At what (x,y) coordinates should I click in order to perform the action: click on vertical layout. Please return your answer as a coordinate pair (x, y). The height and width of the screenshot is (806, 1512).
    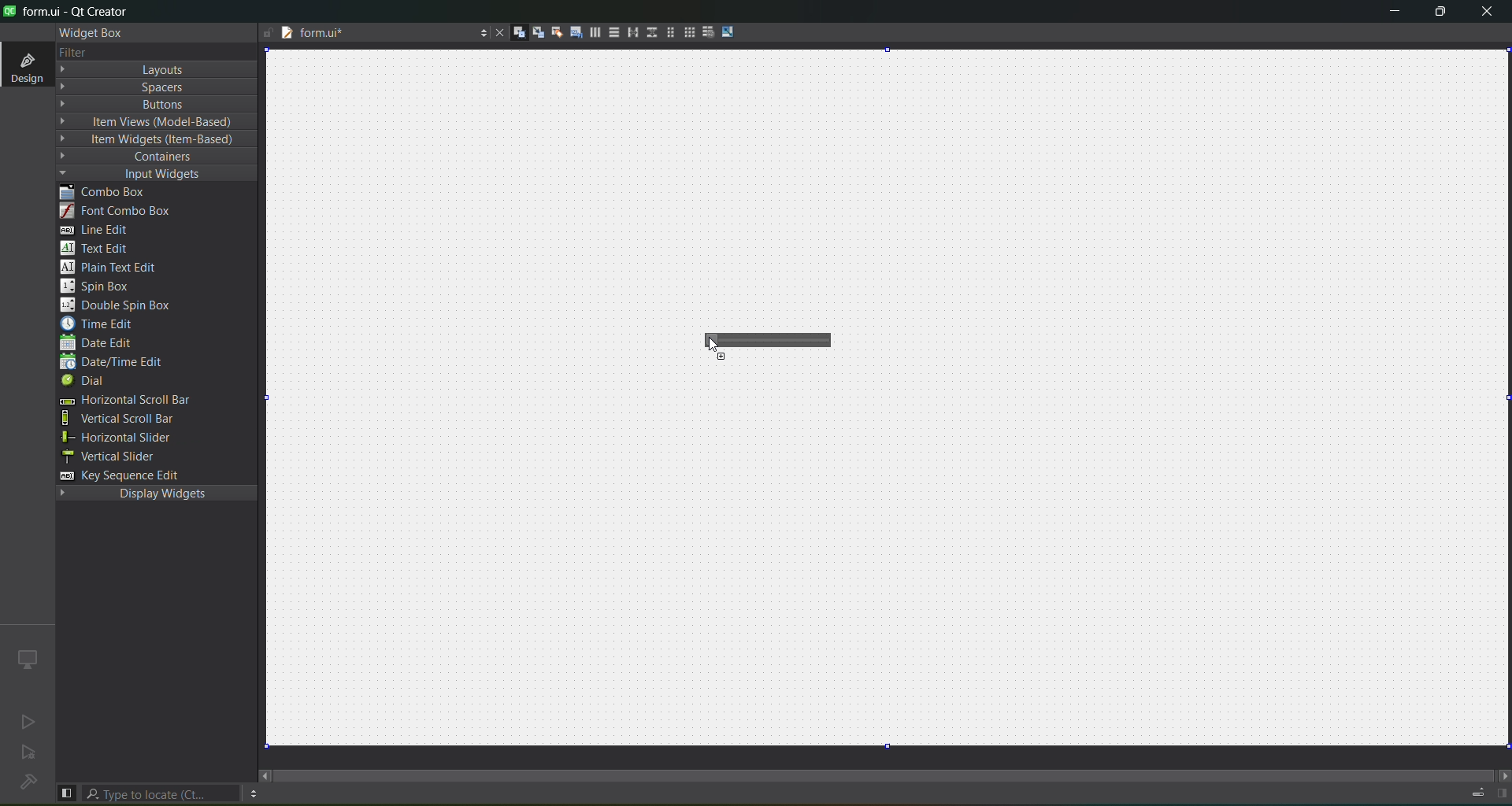
    Looking at the image, I should click on (612, 32).